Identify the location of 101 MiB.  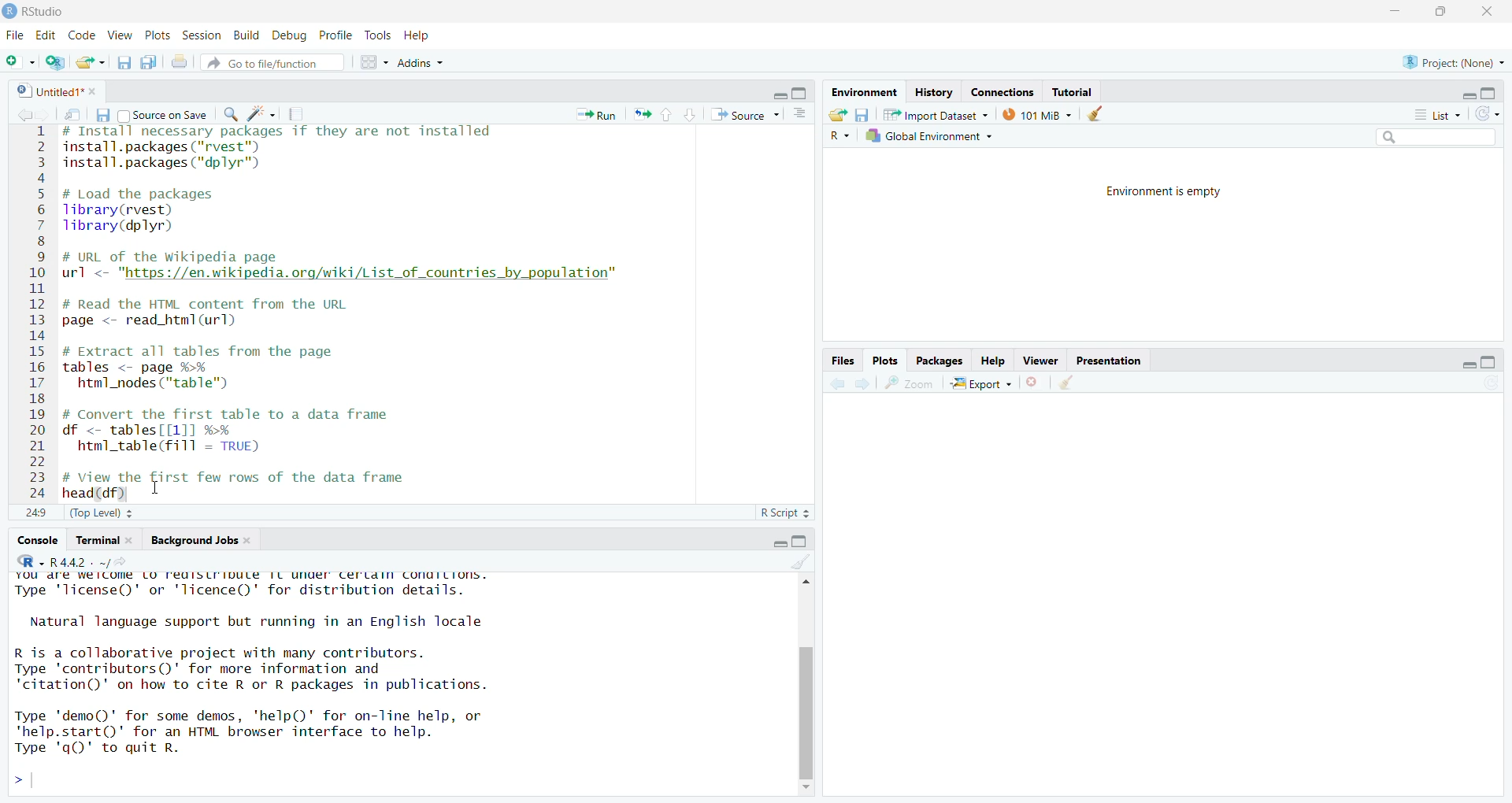
(1035, 113).